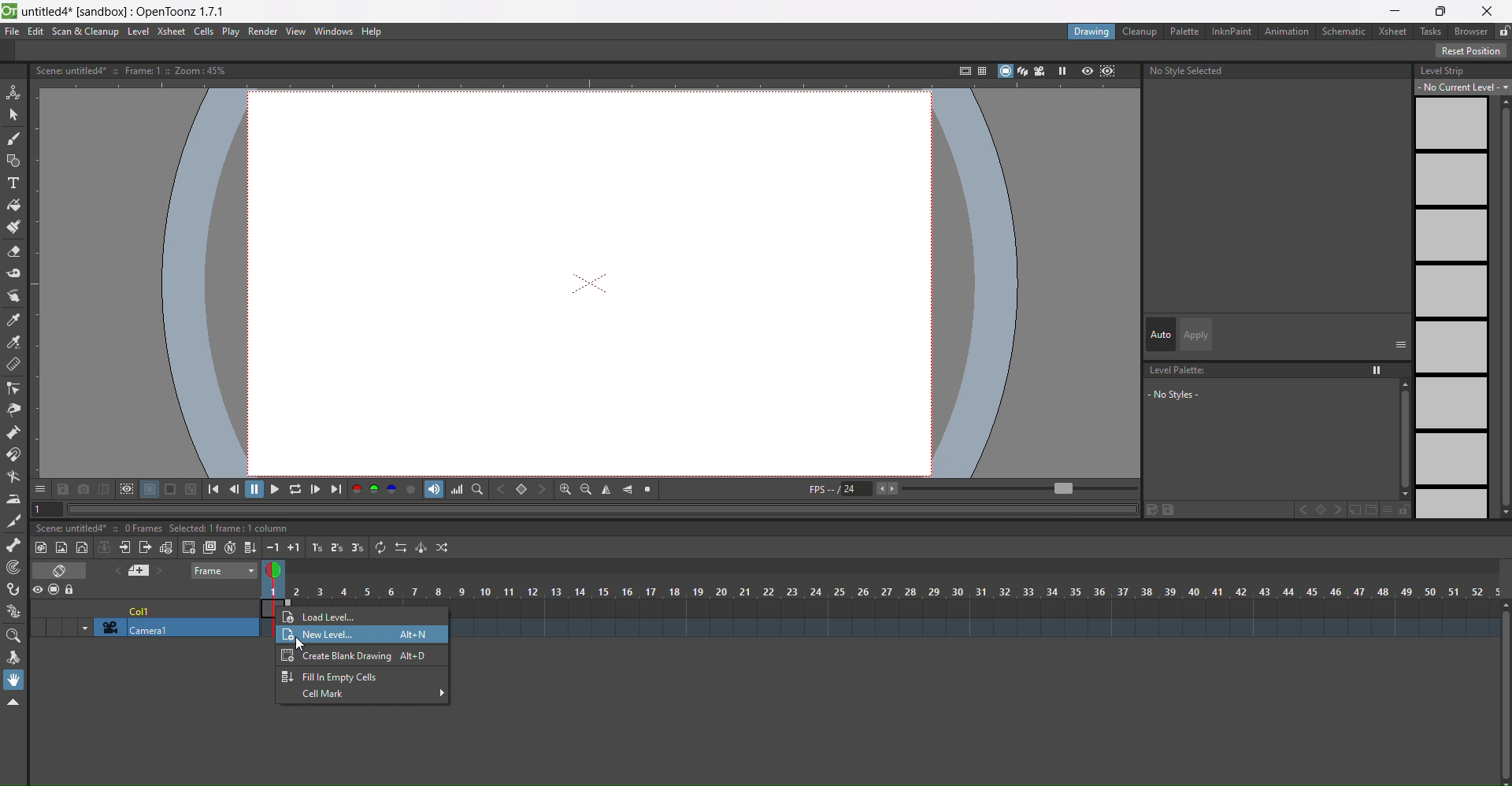  I want to click on tracker tool, so click(13, 569).